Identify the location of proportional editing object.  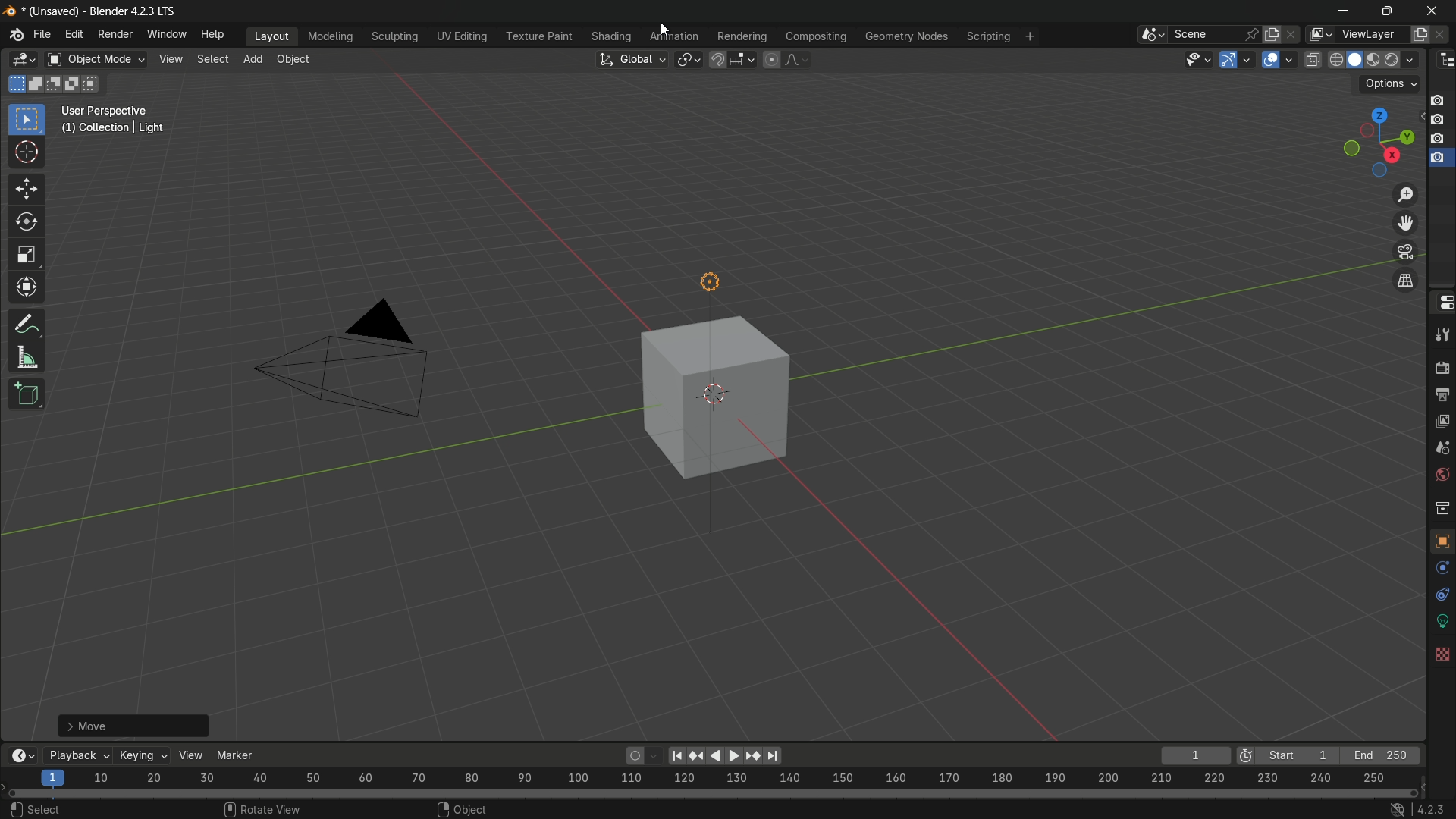
(771, 60).